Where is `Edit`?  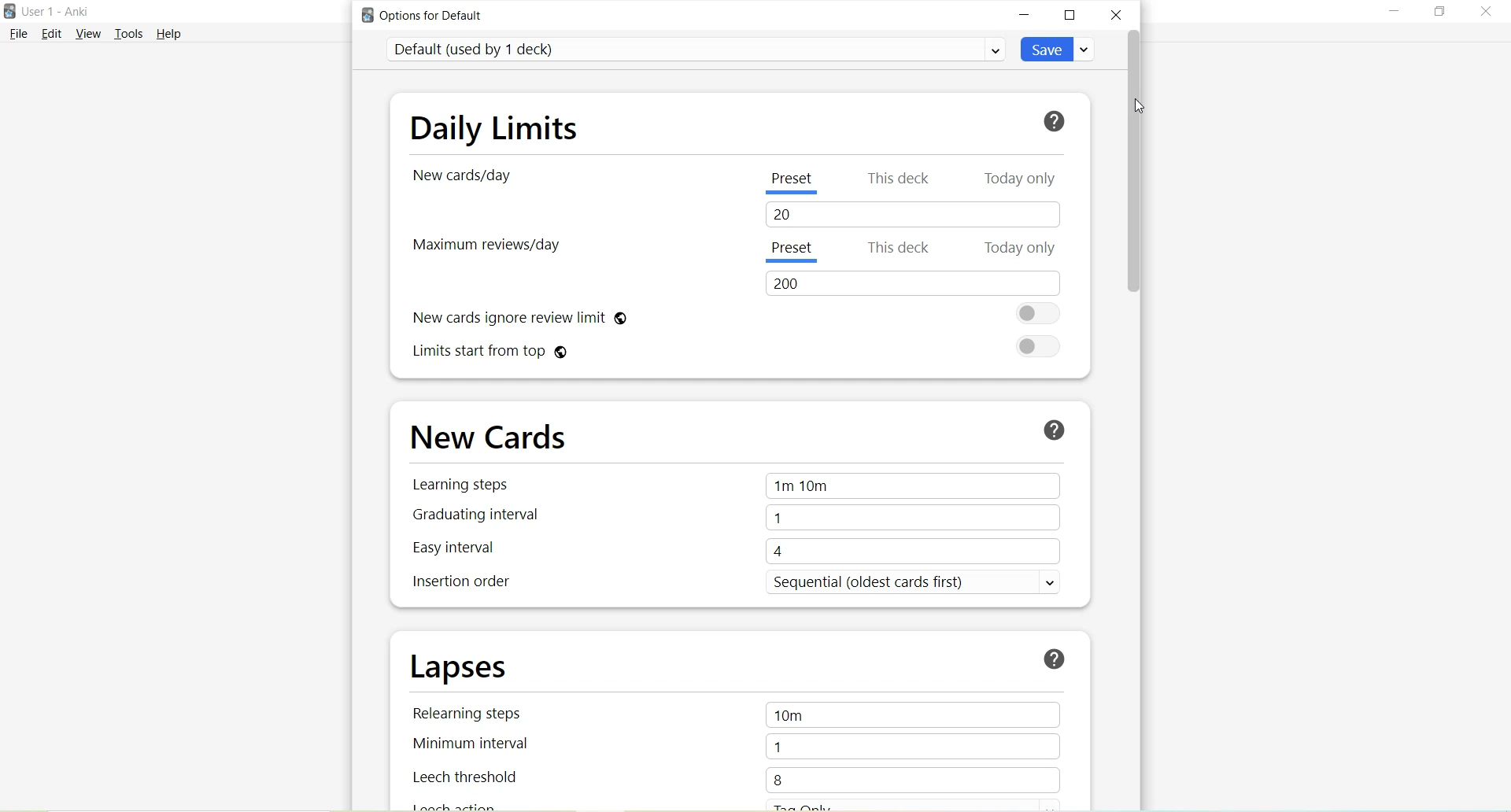
Edit is located at coordinates (53, 33).